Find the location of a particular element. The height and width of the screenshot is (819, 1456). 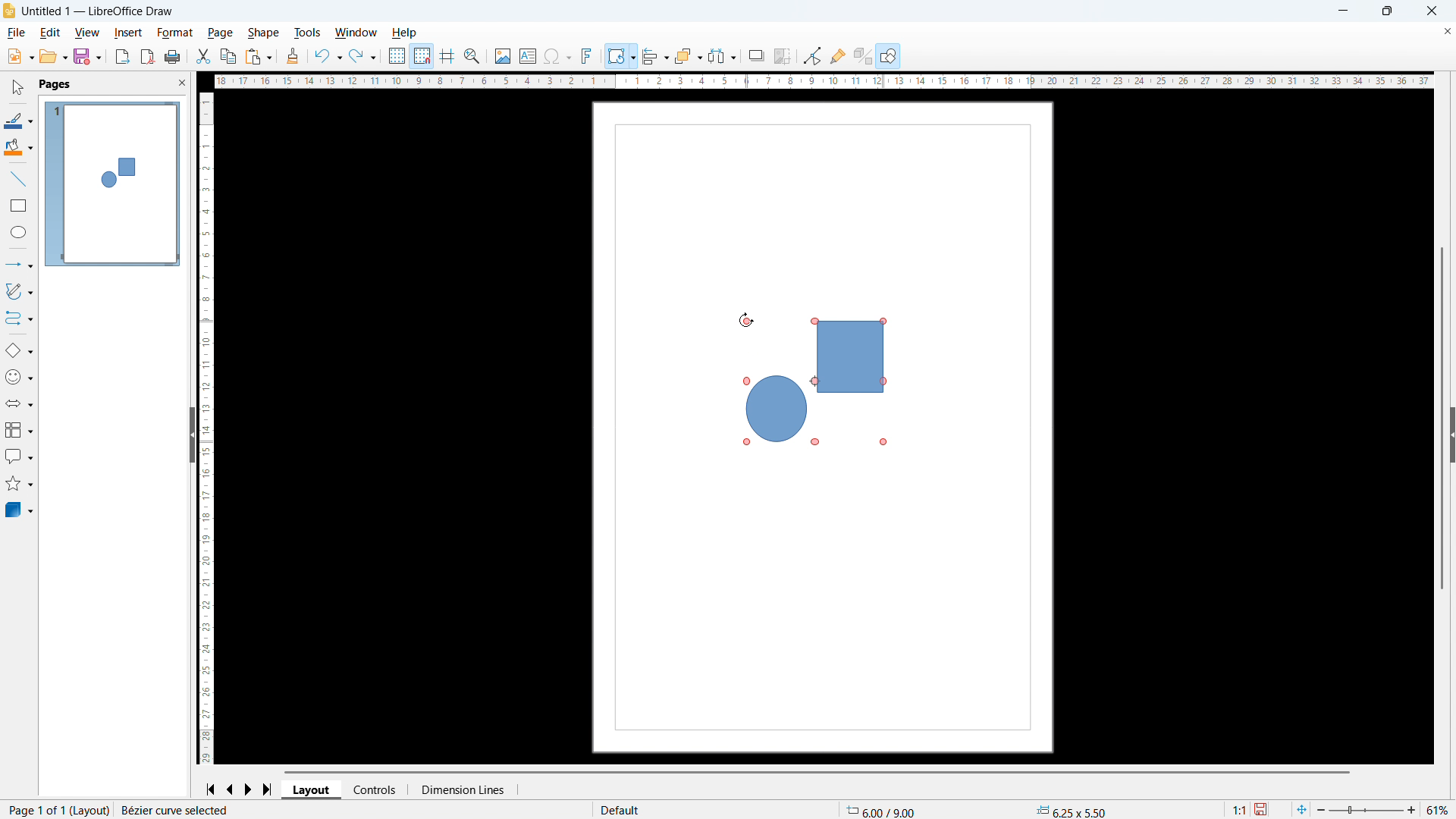

Dimension lines  is located at coordinates (463, 789).